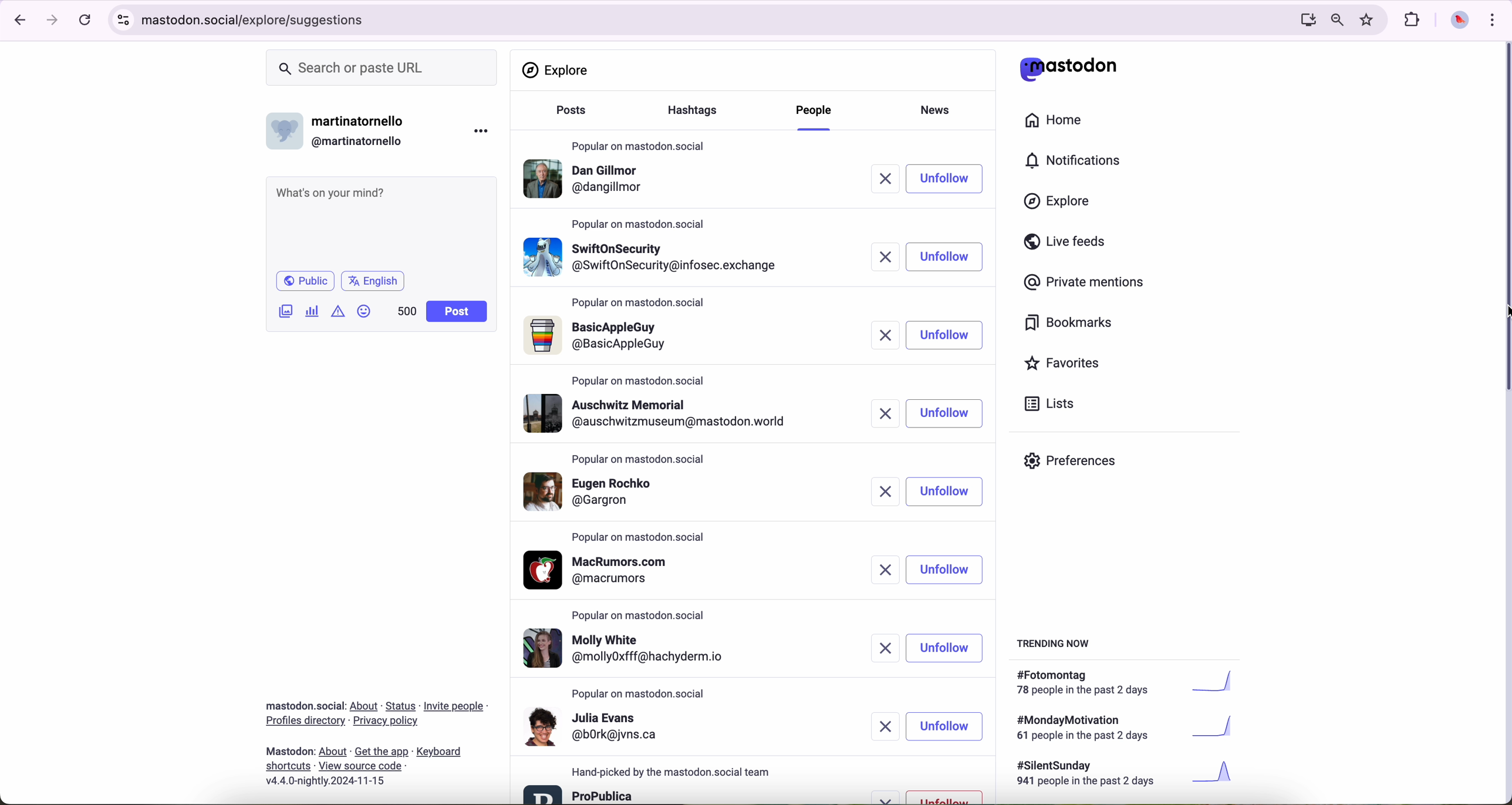  What do you see at coordinates (1128, 775) in the screenshot?
I see `#silentsunday` at bounding box center [1128, 775].